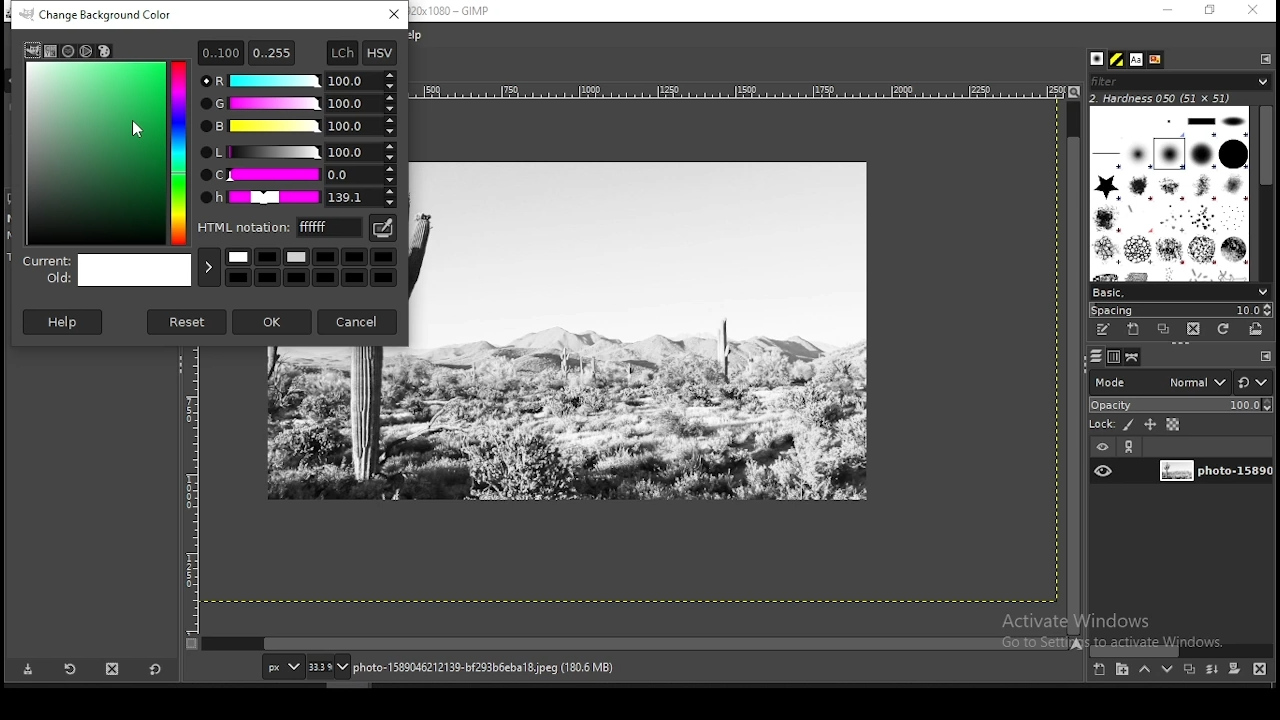  Describe the element at coordinates (1134, 357) in the screenshot. I see `paths` at that location.